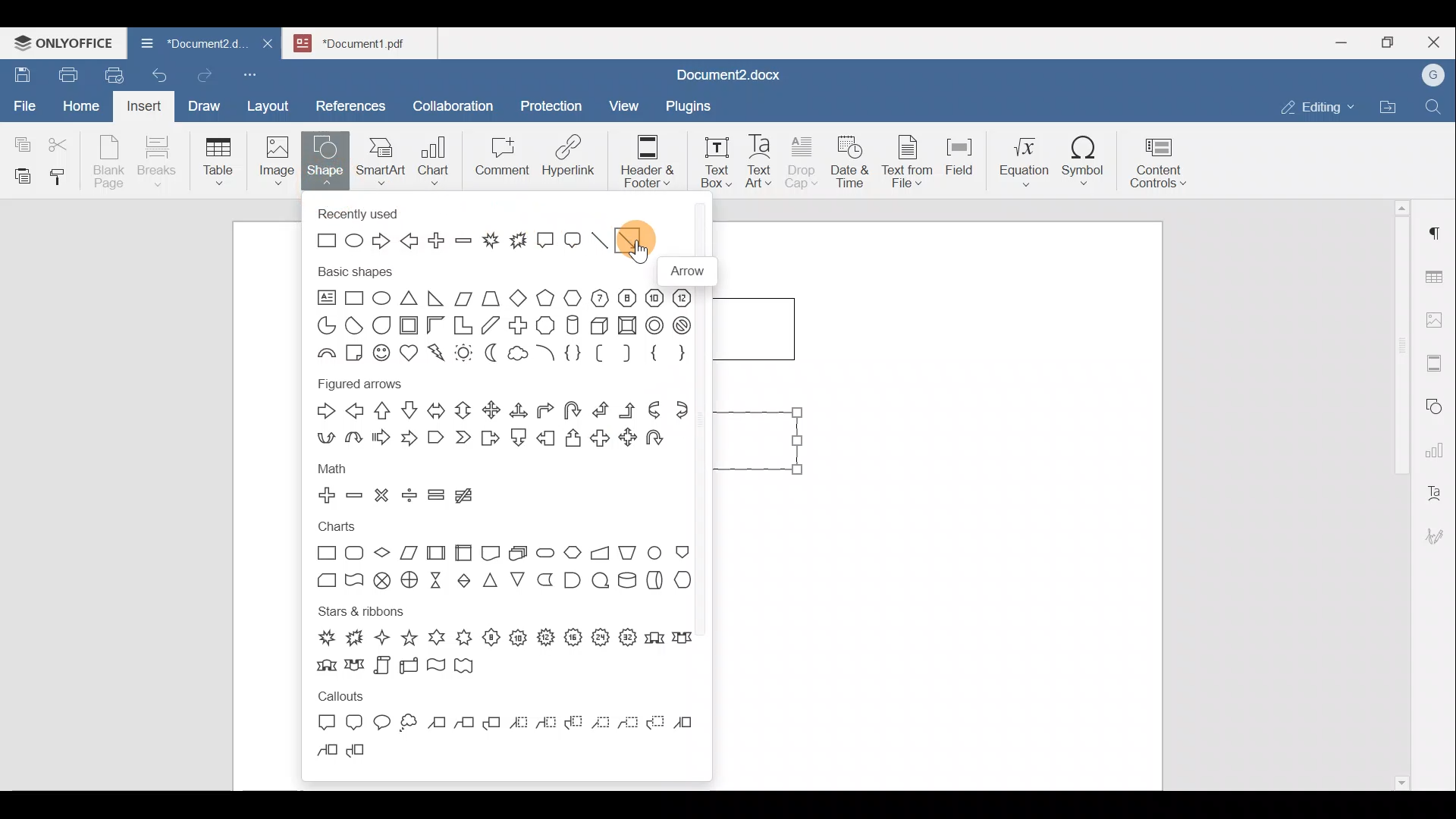 The width and height of the screenshot is (1456, 819). Describe the element at coordinates (65, 72) in the screenshot. I see `Print file` at that location.